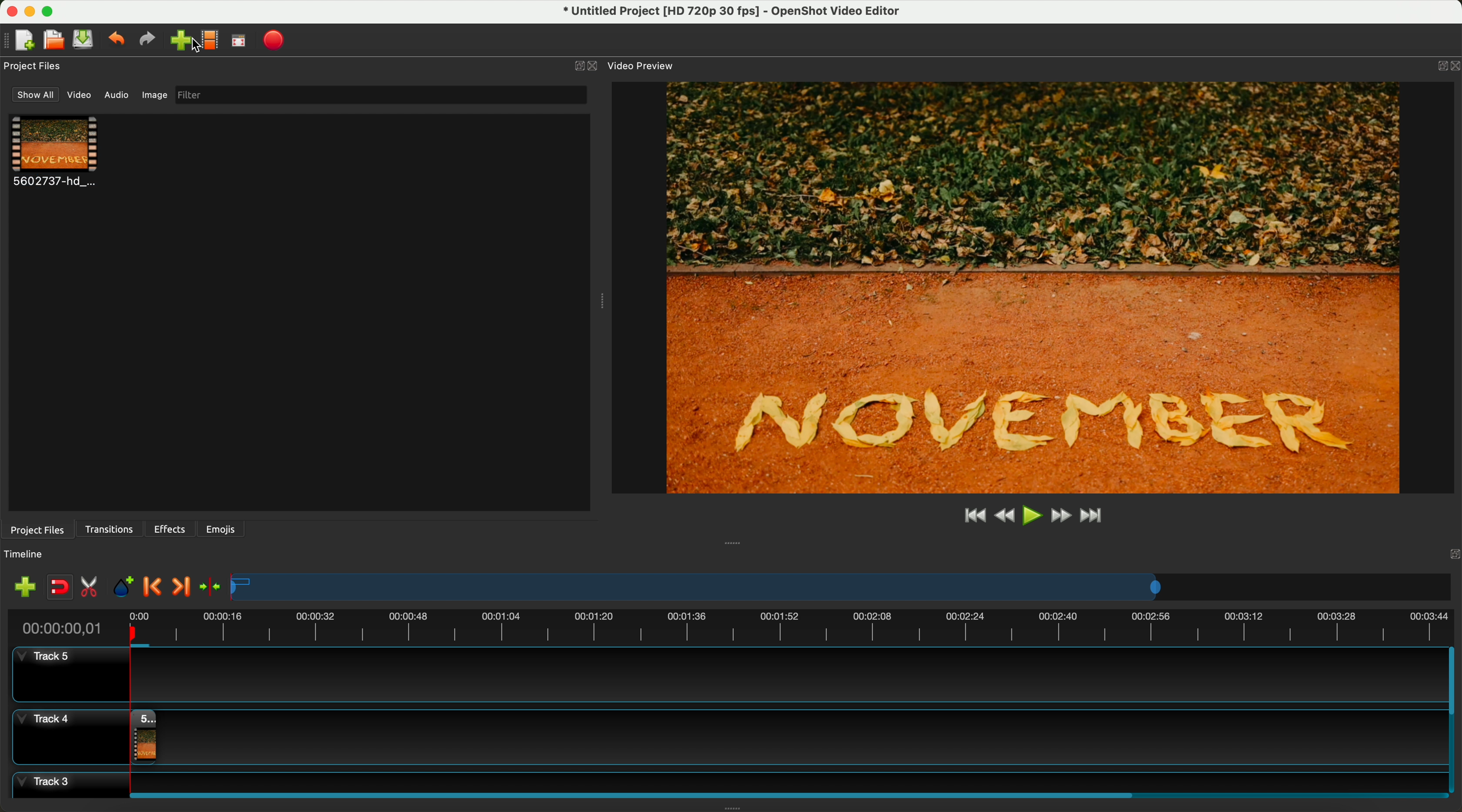 The width and height of the screenshot is (1462, 812). What do you see at coordinates (21, 40) in the screenshot?
I see `new file` at bounding box center [21, 40].